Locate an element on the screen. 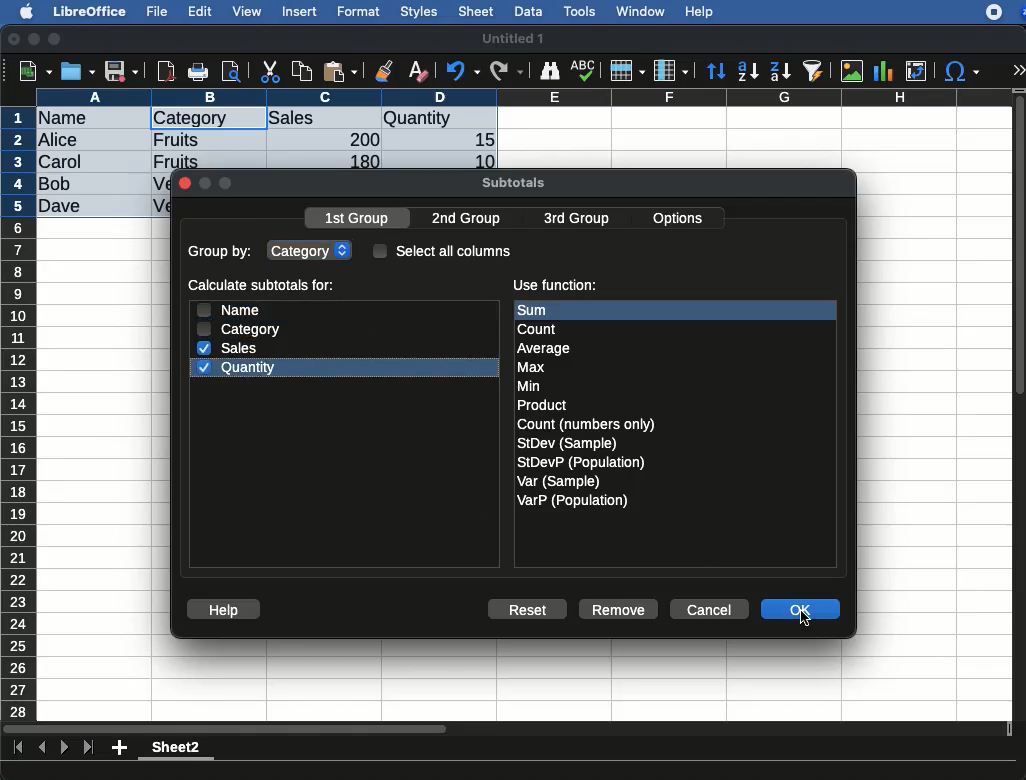 This screenshot has width=1026, height=780. Count (numbers only) is located at coordinates (588, 424).